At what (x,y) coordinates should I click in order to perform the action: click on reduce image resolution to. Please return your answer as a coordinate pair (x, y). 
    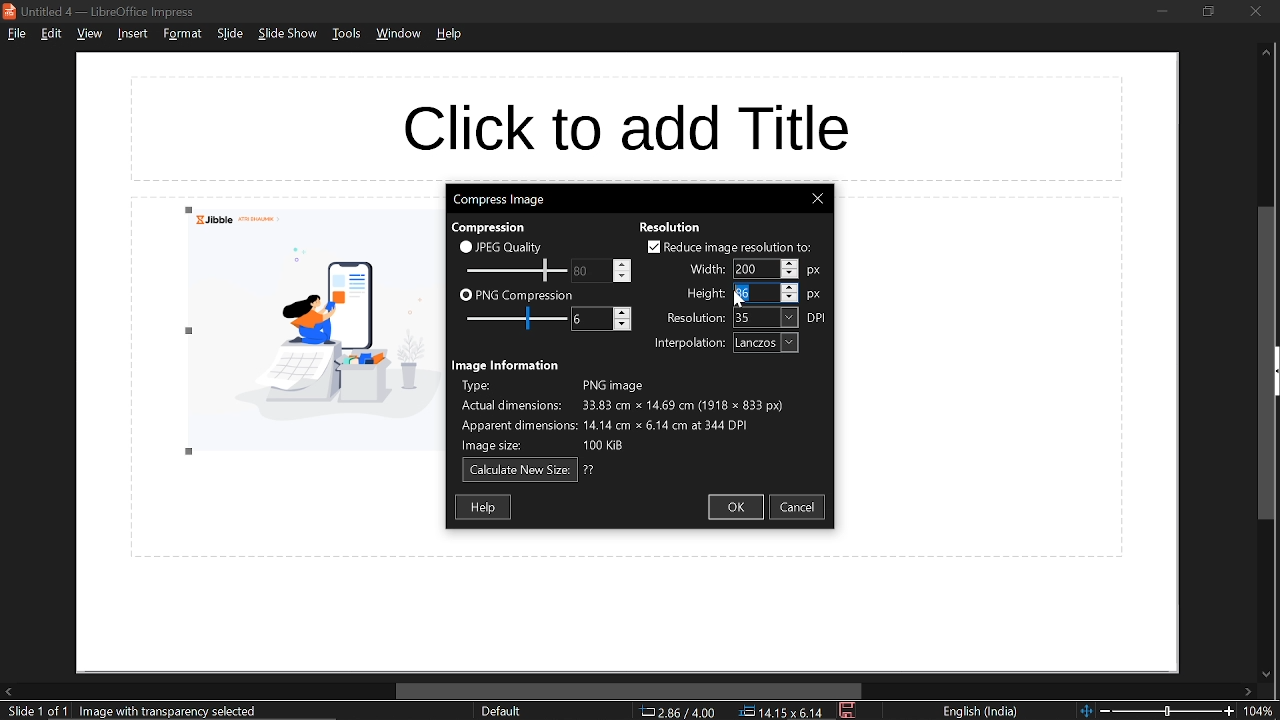
    Looking at the image, I should click on (730, 247).